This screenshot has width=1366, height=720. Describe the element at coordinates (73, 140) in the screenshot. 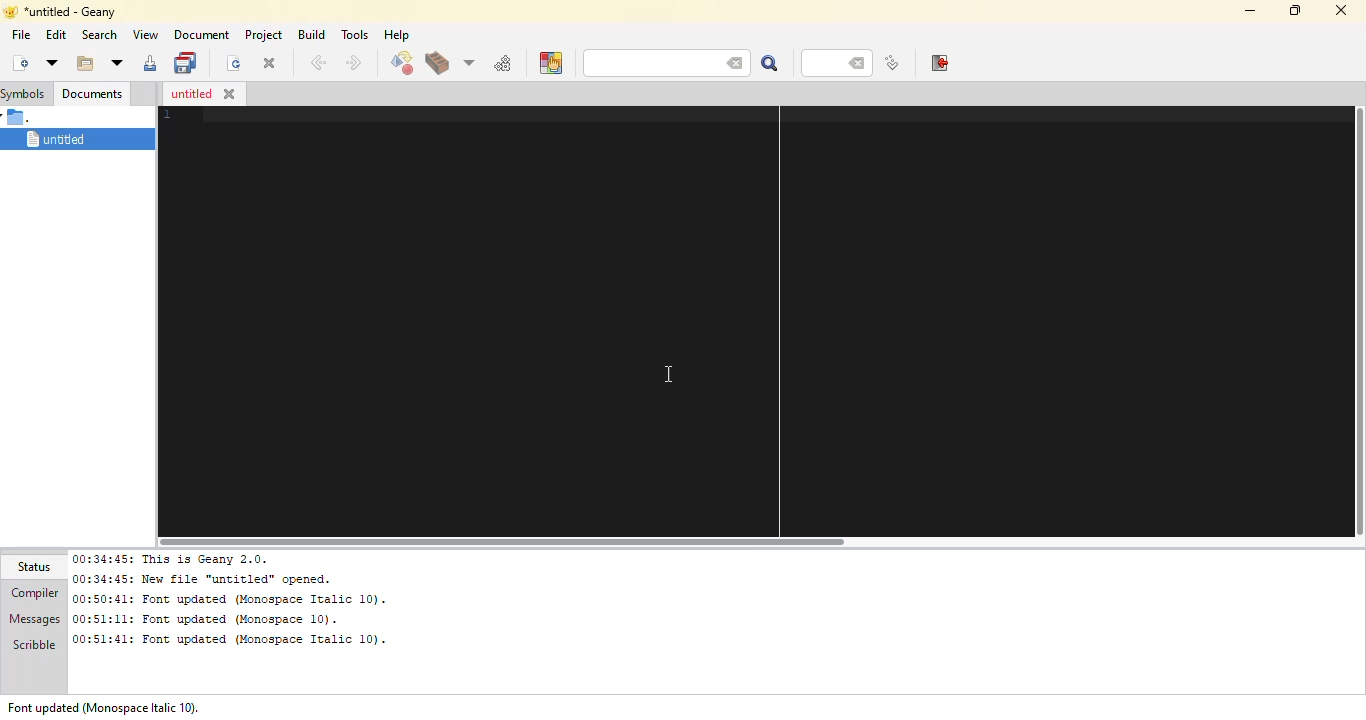

I see `untitled` at that location.